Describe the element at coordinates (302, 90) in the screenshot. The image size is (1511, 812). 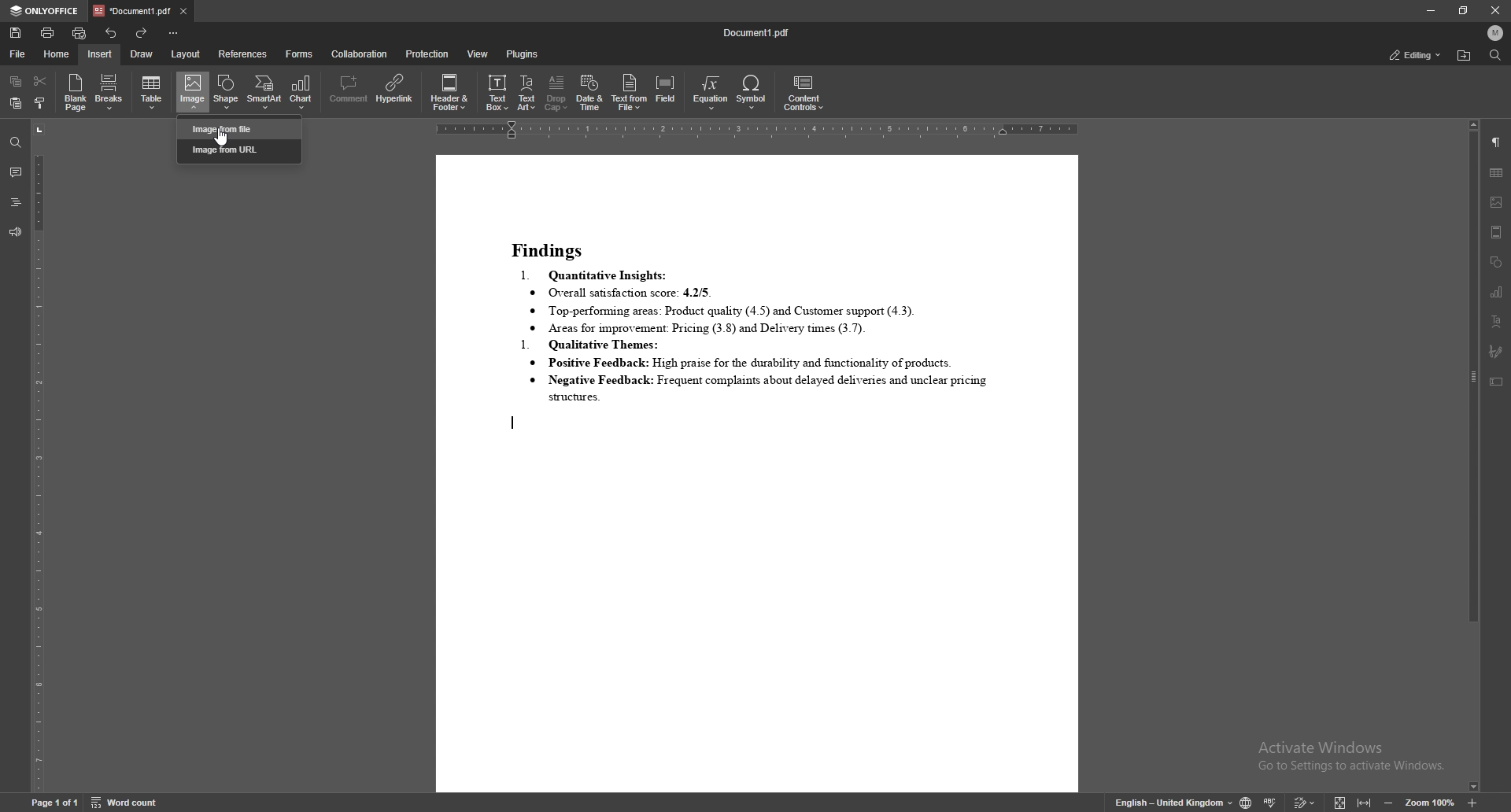
I see `chart` at that location.